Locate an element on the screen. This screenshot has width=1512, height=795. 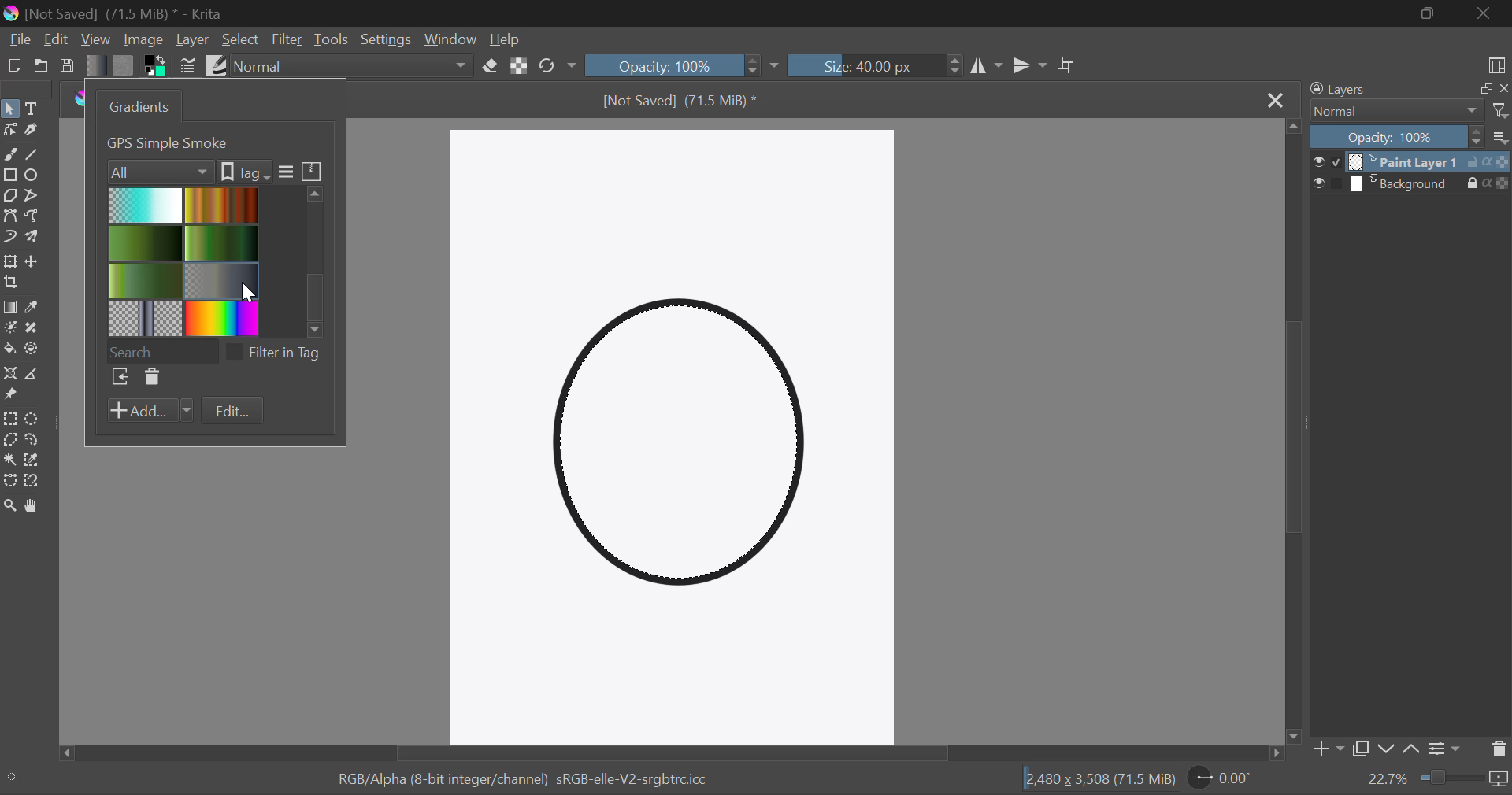
Layer is located at coordinates (193, 40).